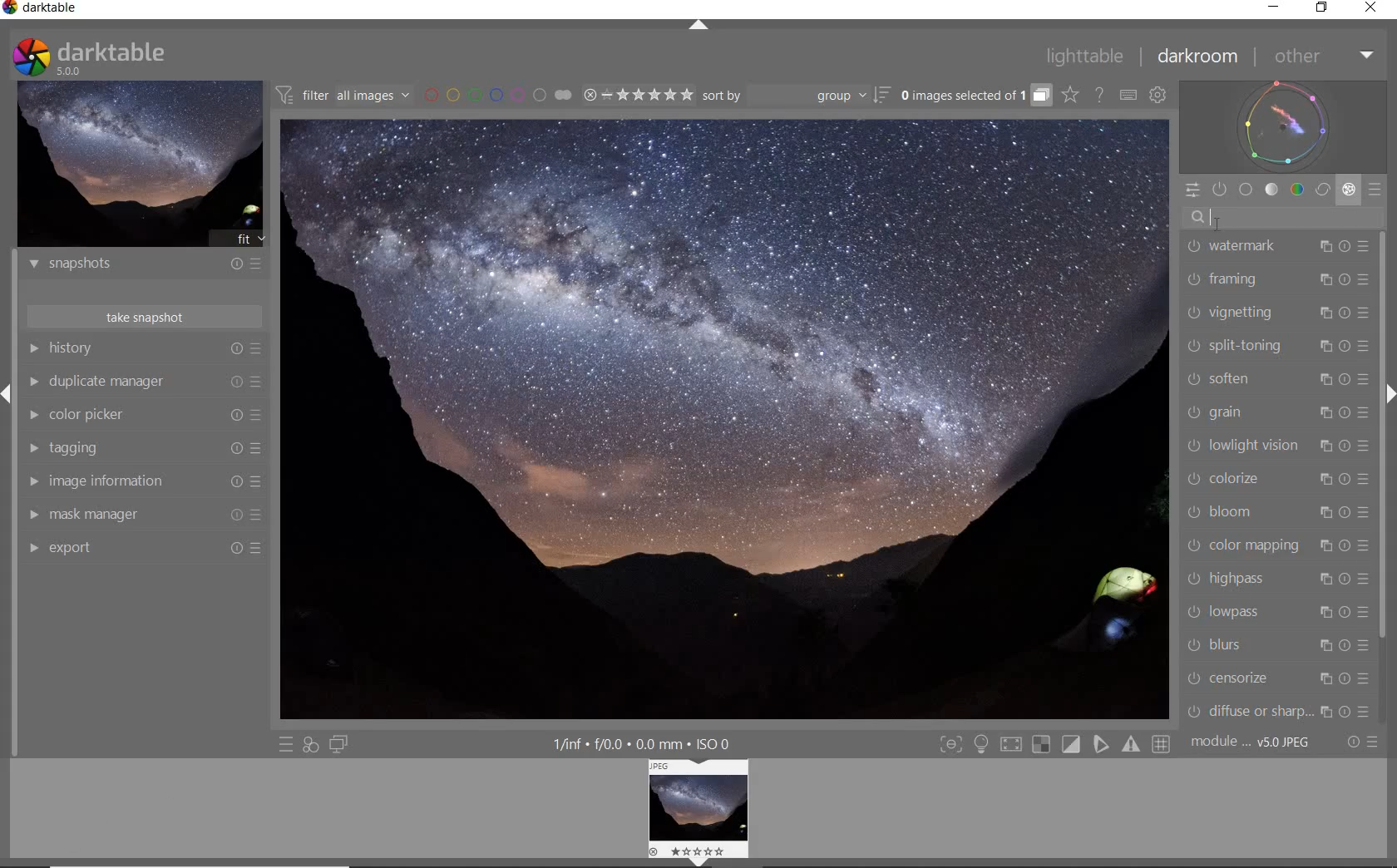  Describe the element at coordinates (698, 860) in the screenshot. I see `hide bottom menu (shift+ctrl+b)` at that location.